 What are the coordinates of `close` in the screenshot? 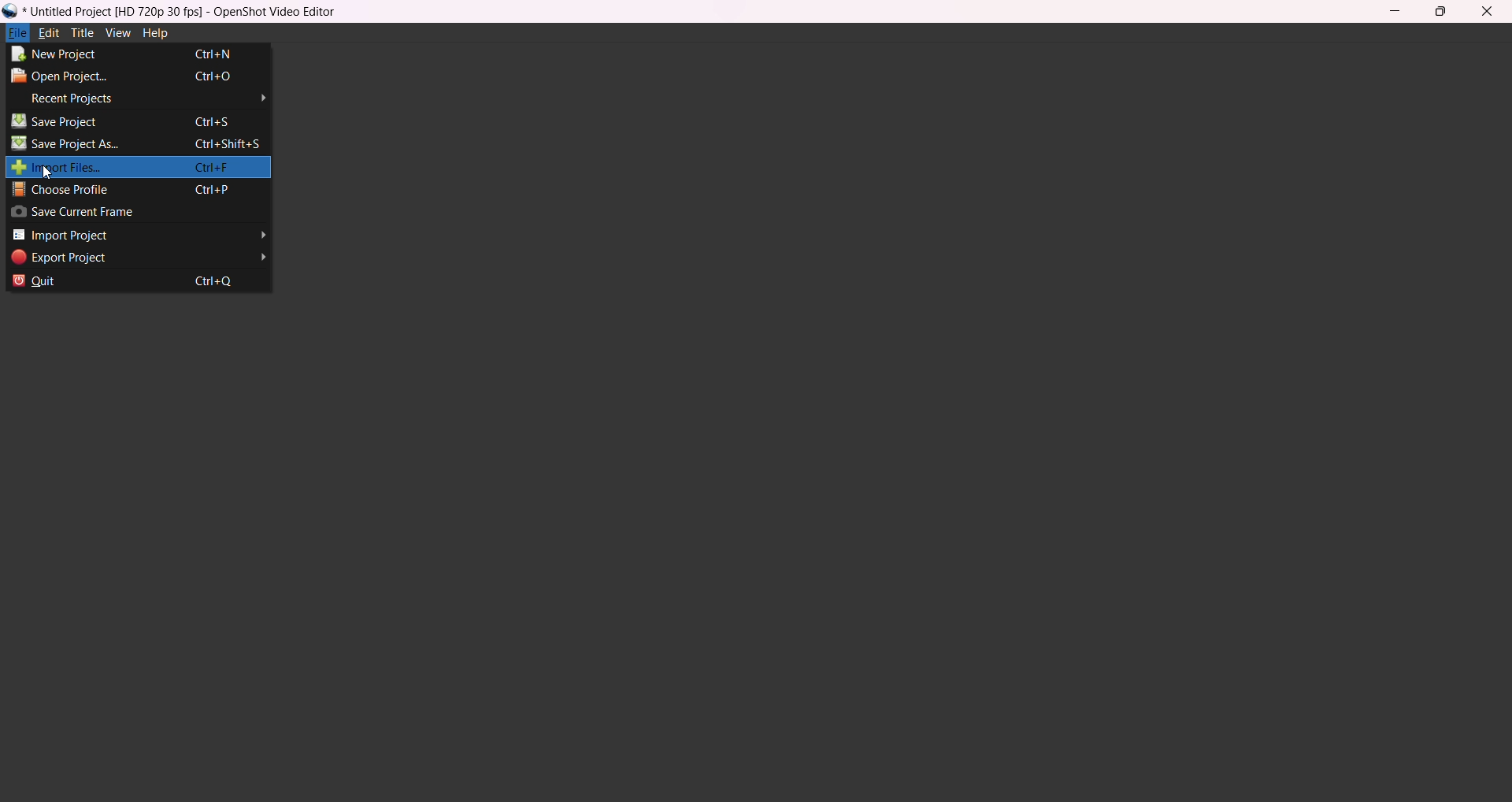 It's located at (1487, 12).